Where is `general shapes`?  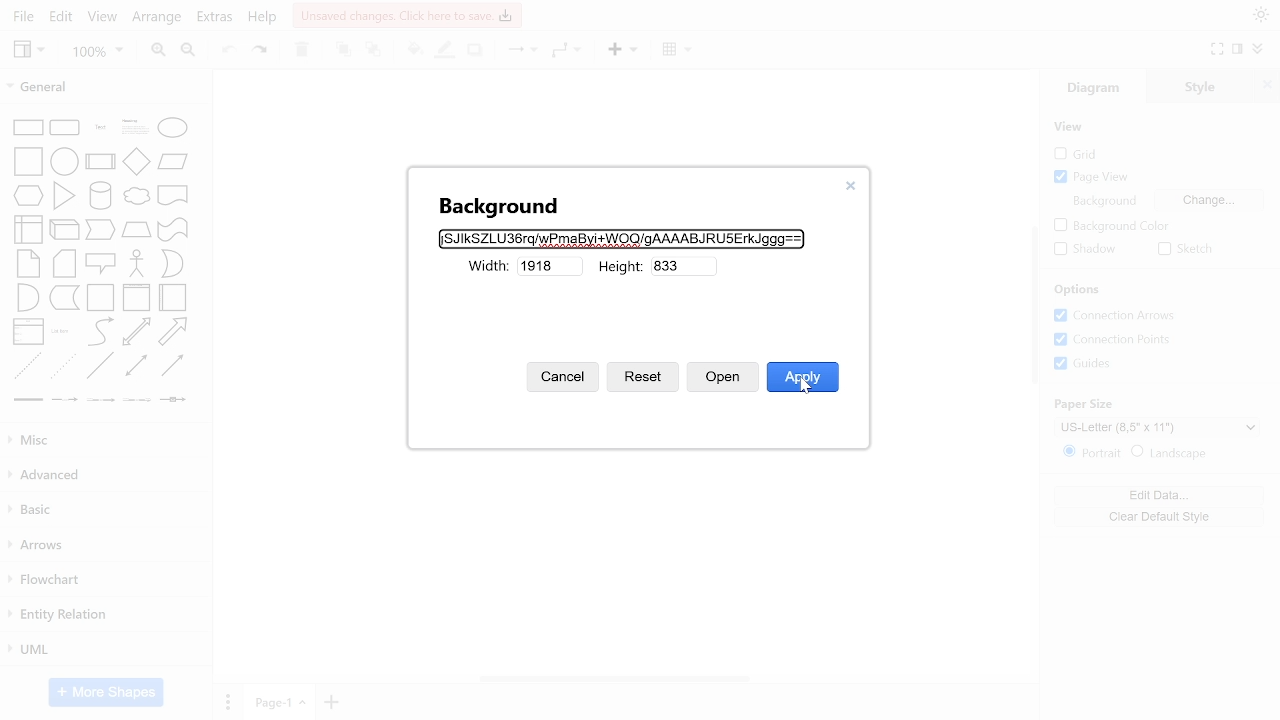 general shapes is located at coordinates (137, 296).